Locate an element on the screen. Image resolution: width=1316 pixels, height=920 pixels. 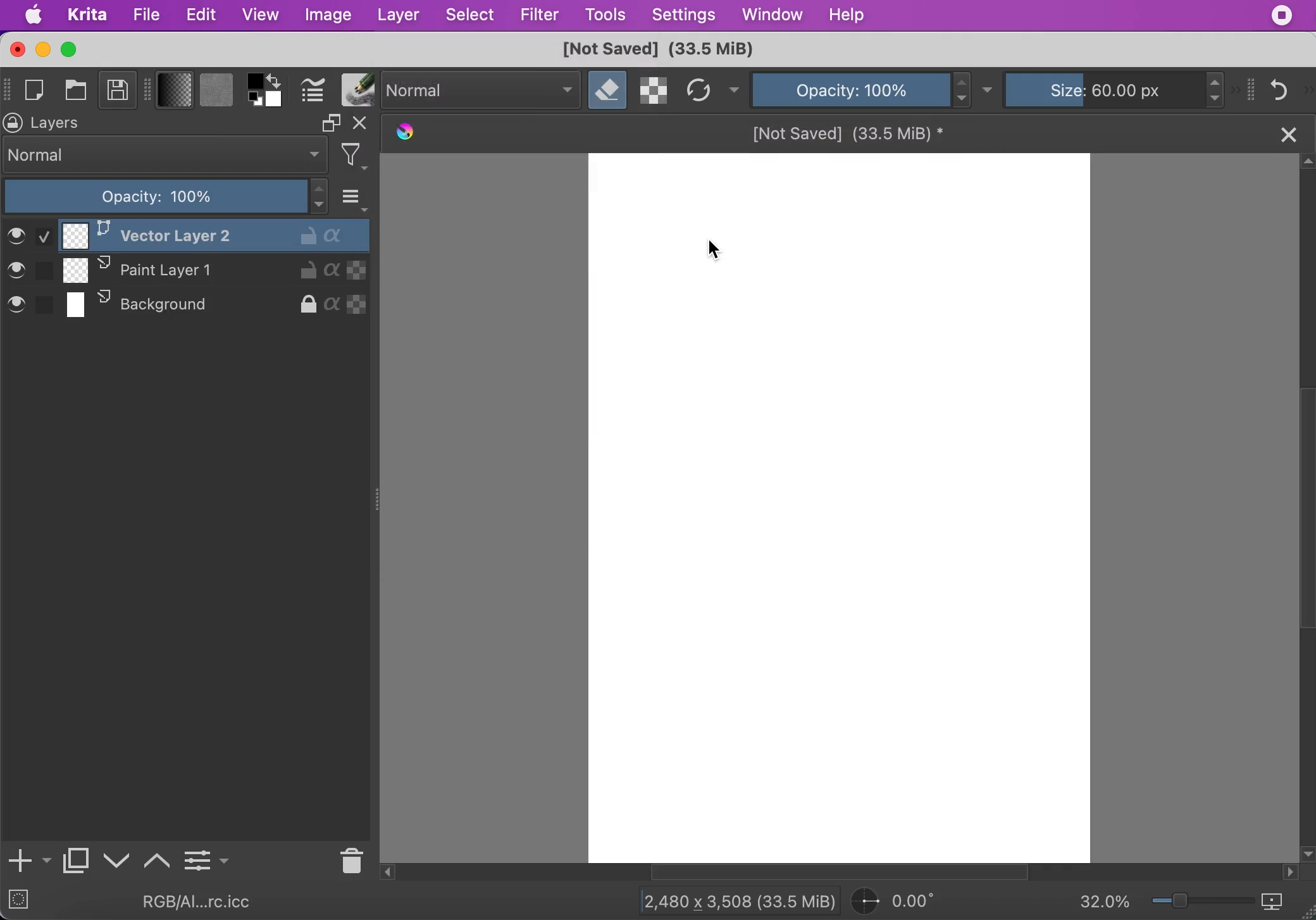
cursor is located at coordinates (711, 252).